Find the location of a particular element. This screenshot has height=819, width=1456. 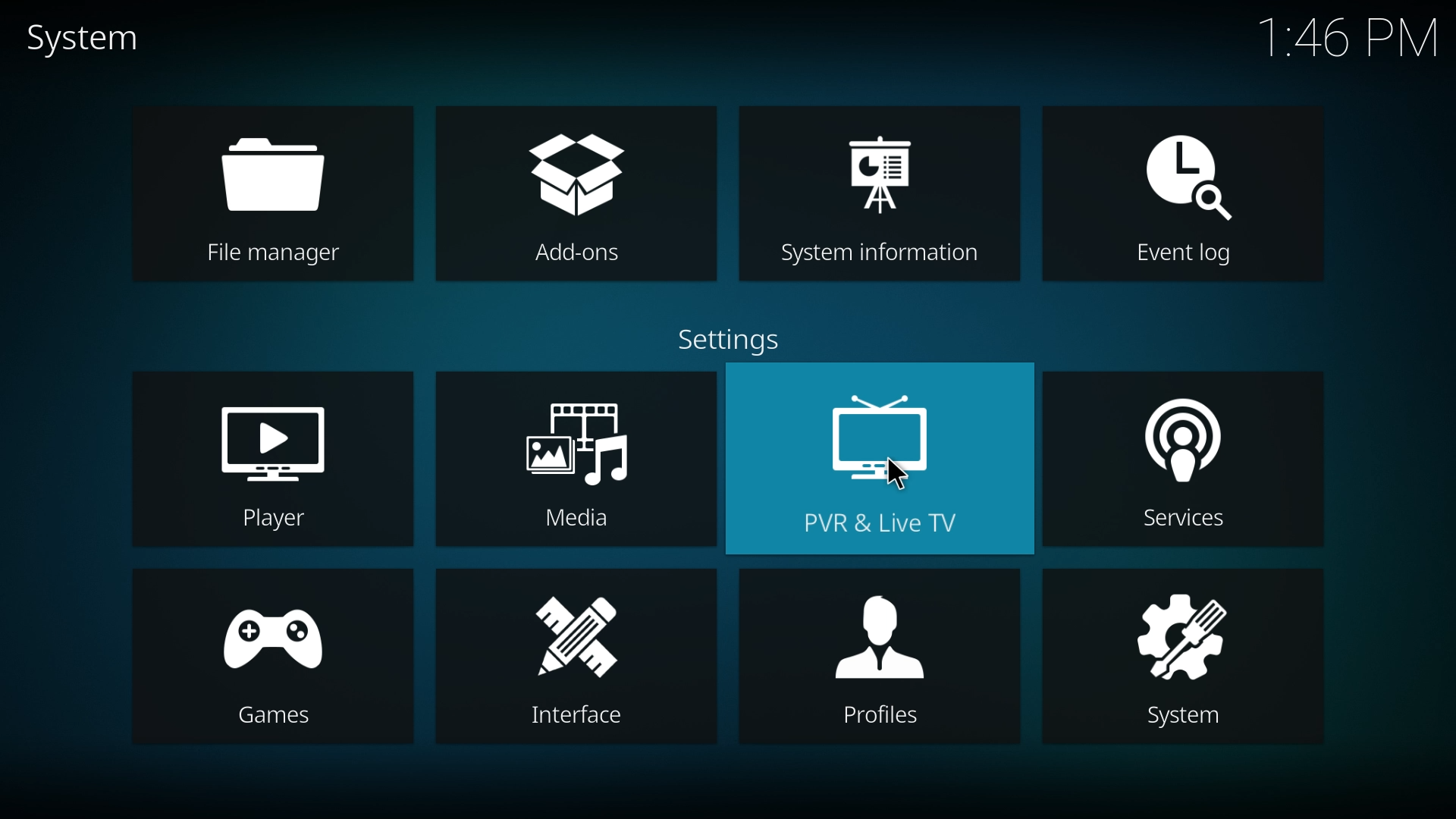

event log is located at coordinates (1185, 192).